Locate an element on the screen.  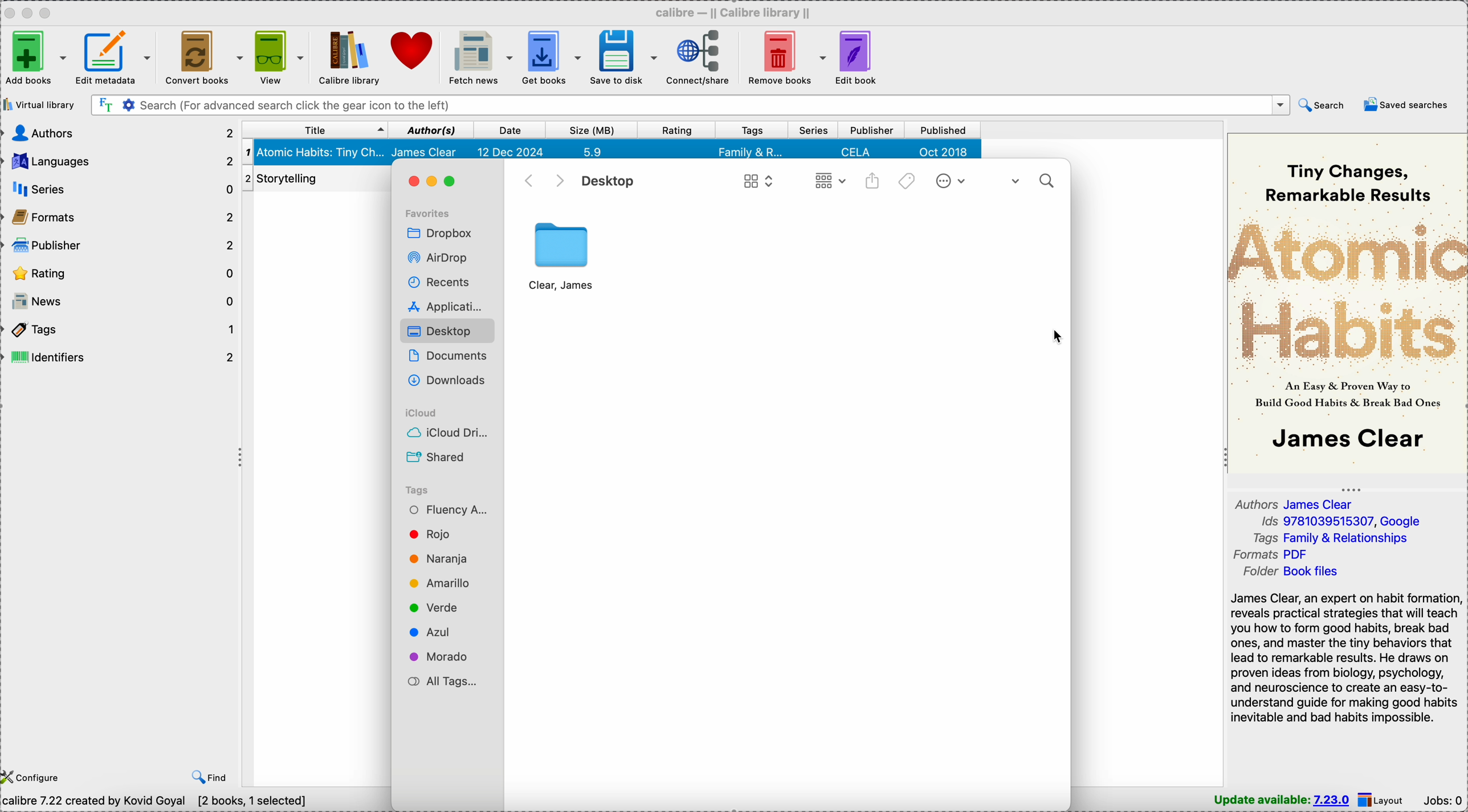
get books is located at coordinates (549, 56).